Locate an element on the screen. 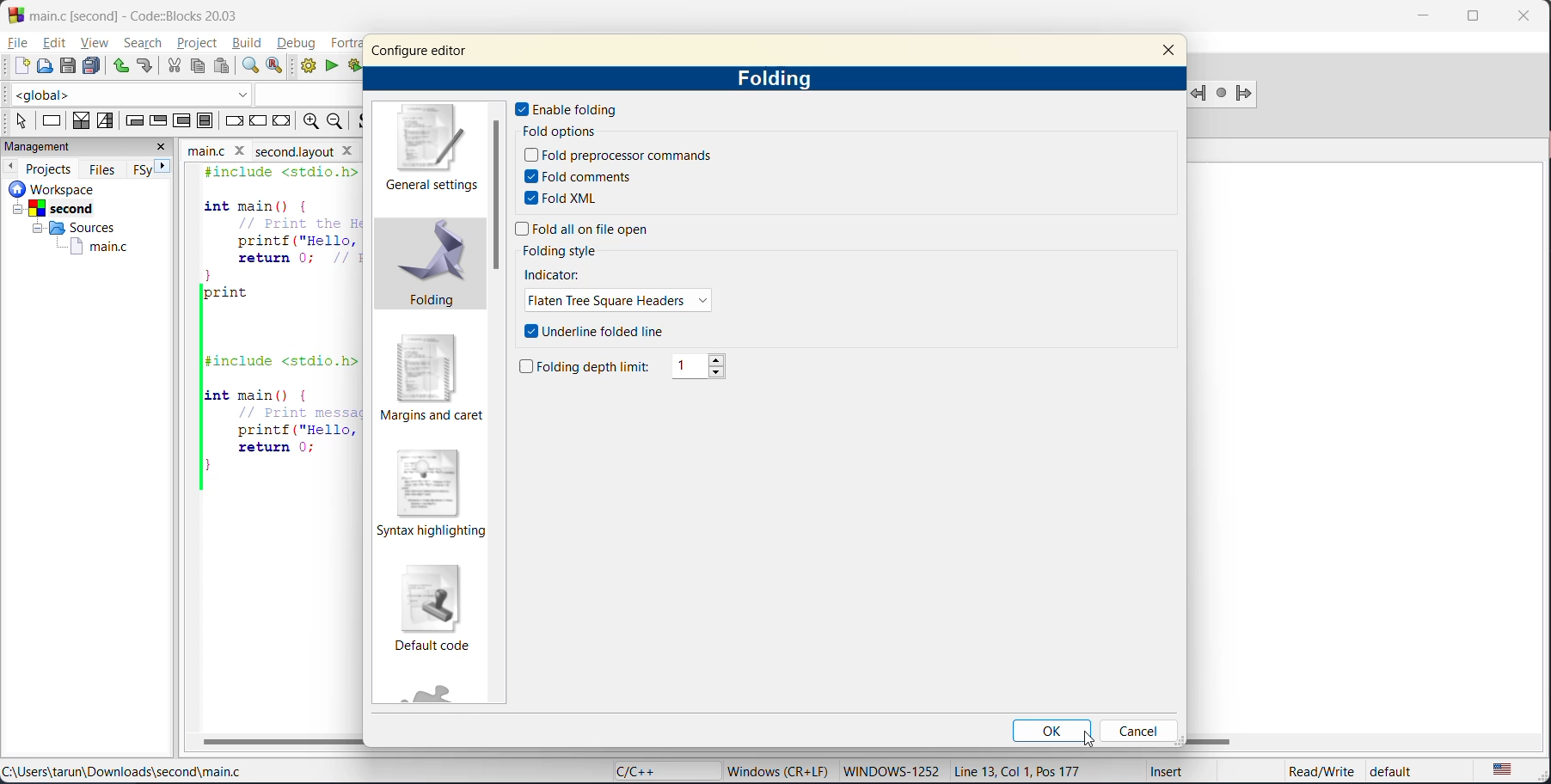  Insert is located at coordinates (1161, 774).